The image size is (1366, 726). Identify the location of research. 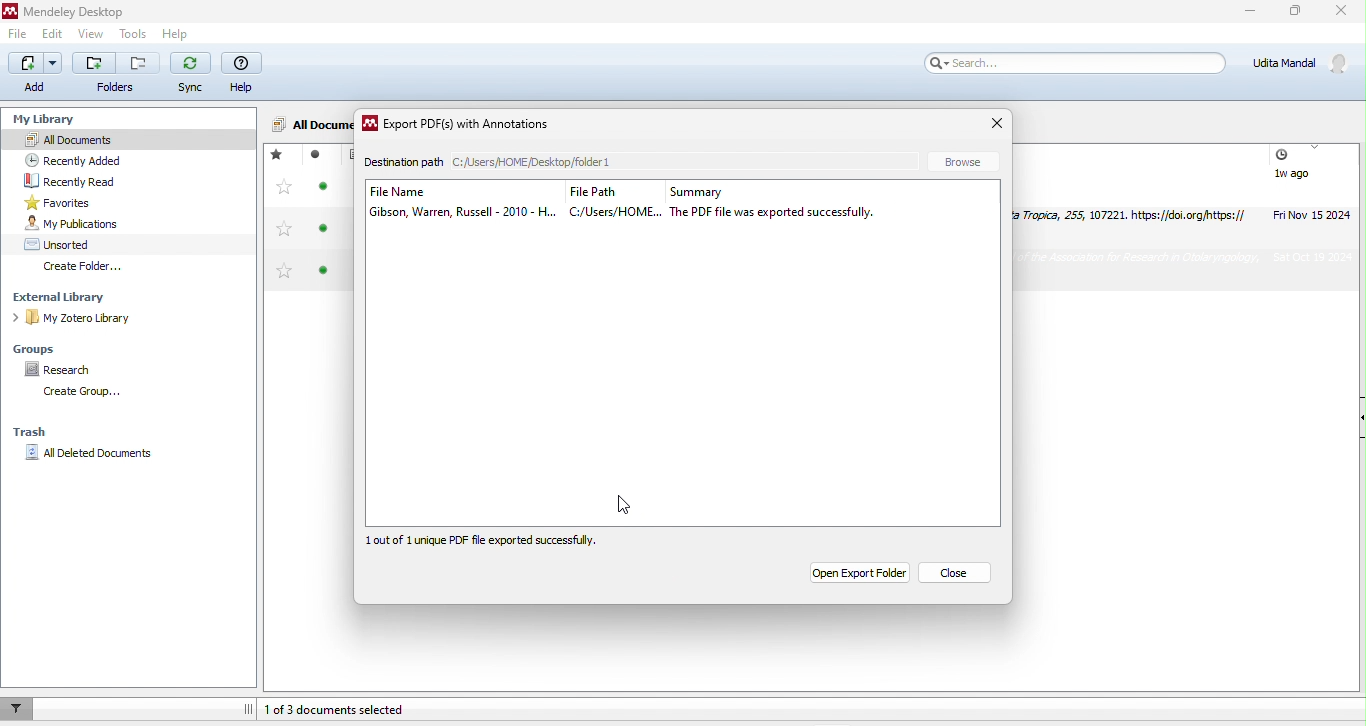
(69, 370).